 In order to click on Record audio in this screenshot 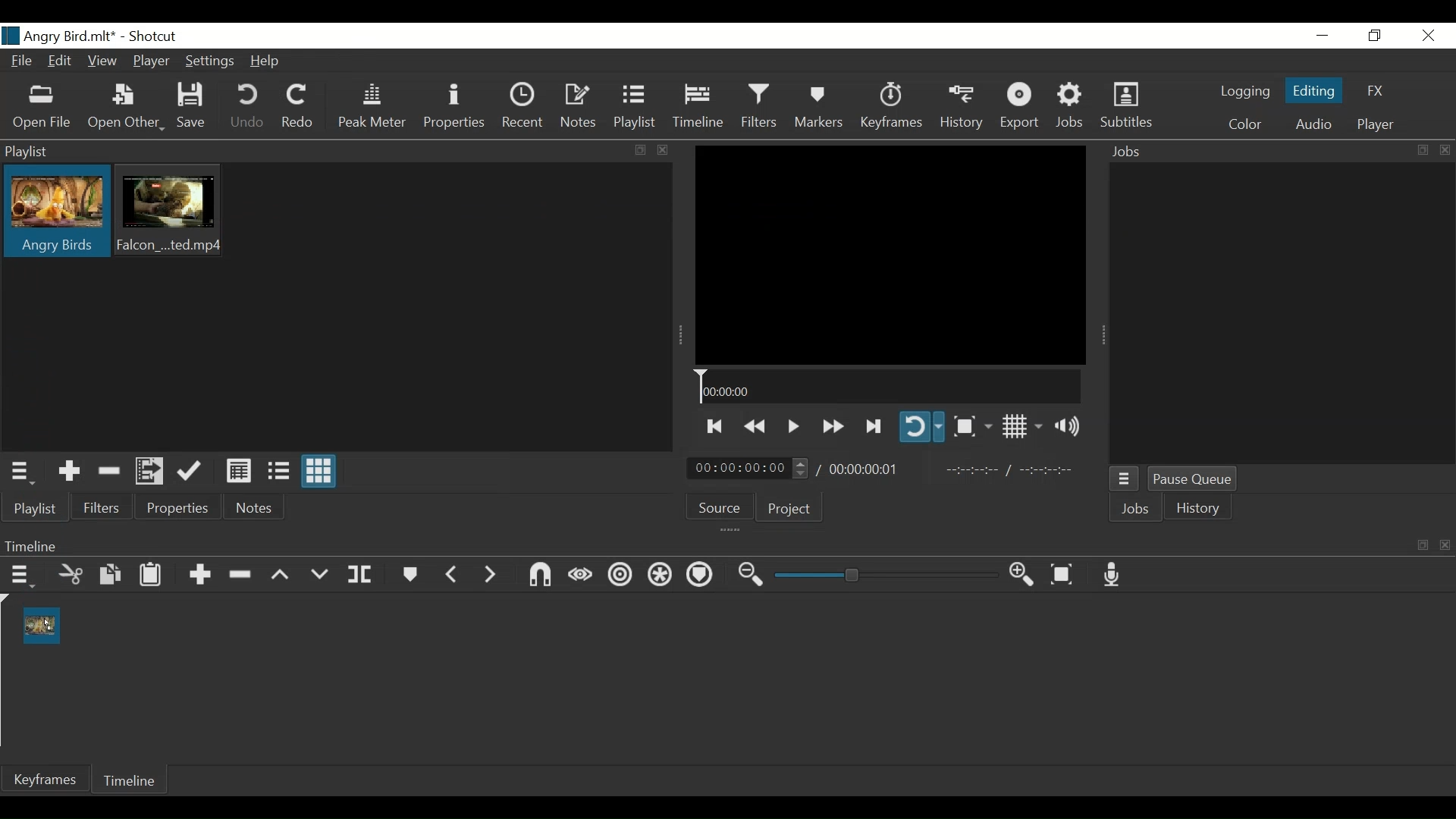, I will do `click(1112, 576)`.